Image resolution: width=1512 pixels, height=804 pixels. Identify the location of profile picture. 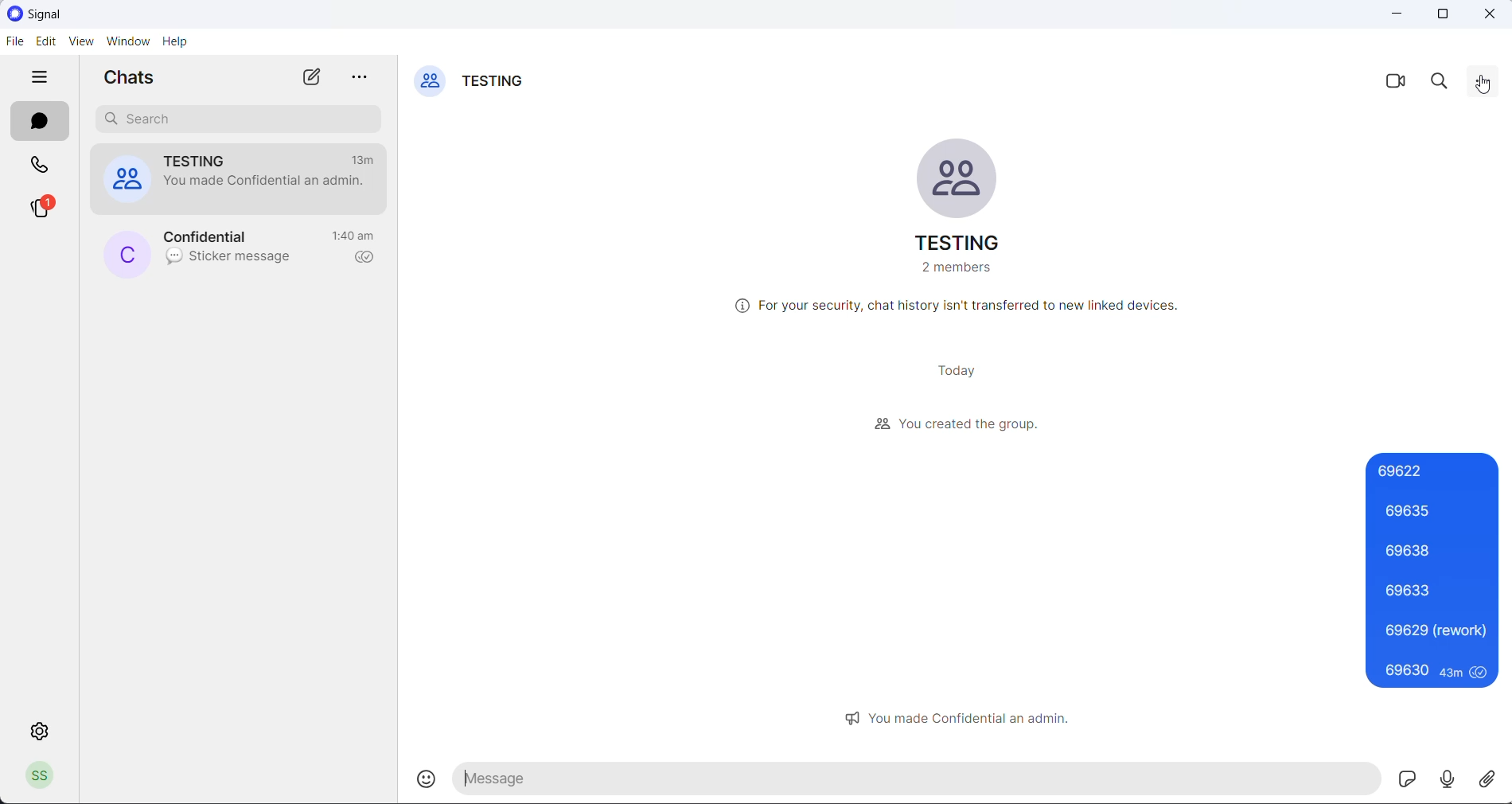
(127, 254).